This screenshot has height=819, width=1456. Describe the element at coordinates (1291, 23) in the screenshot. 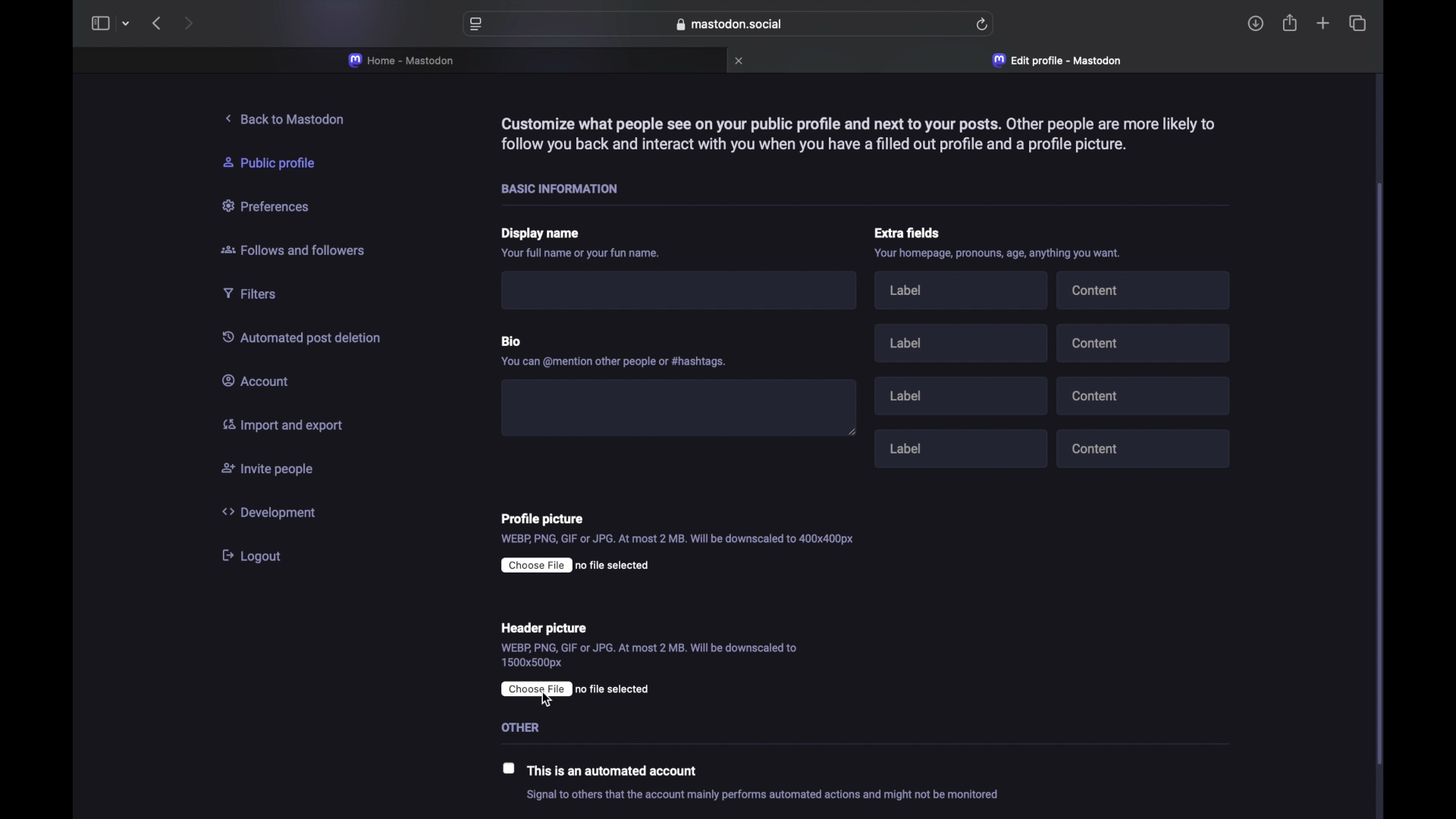

I see `share` at that location.